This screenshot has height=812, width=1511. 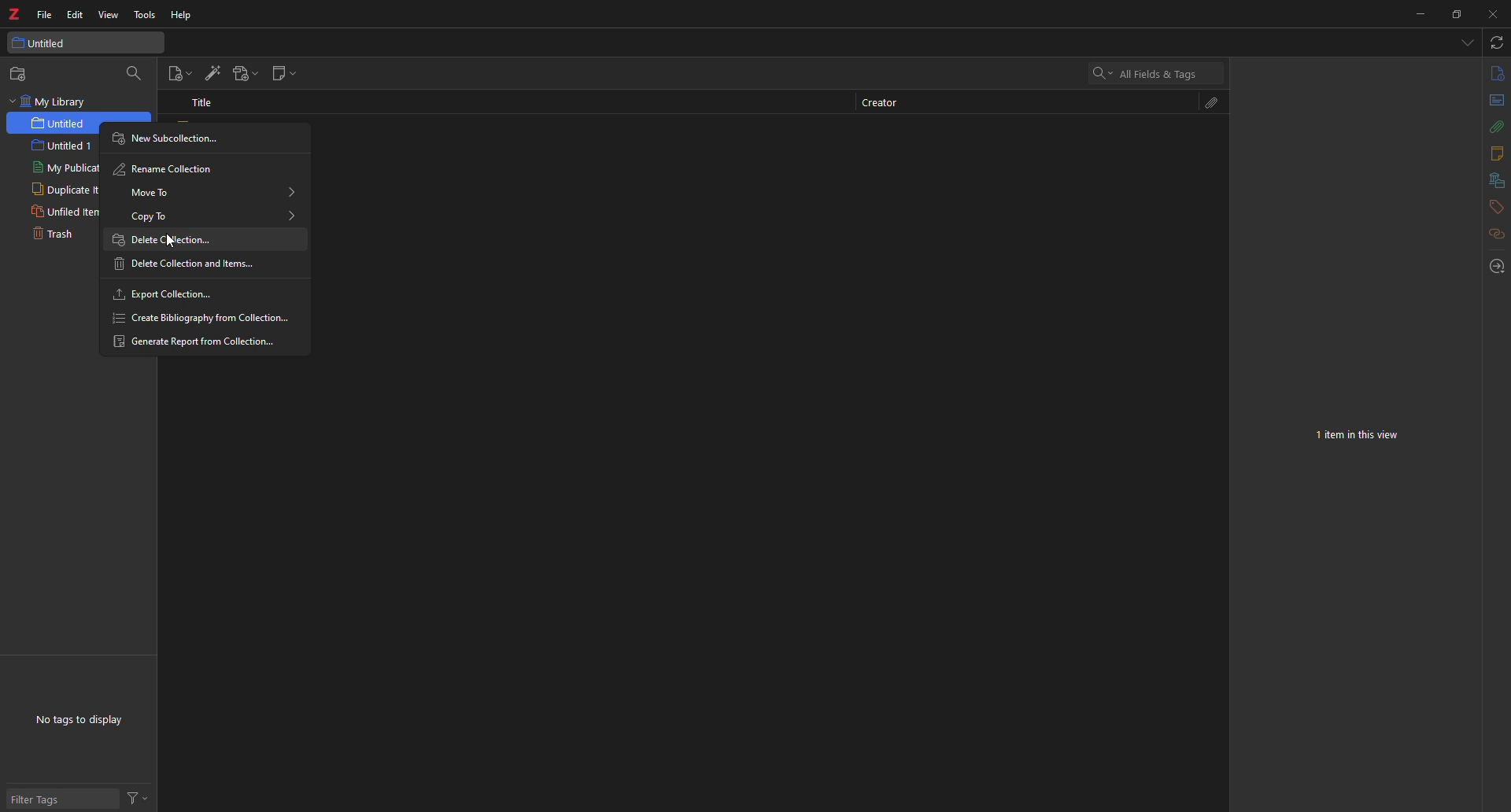 I want to click on no item, so click(x=1360, y=434).